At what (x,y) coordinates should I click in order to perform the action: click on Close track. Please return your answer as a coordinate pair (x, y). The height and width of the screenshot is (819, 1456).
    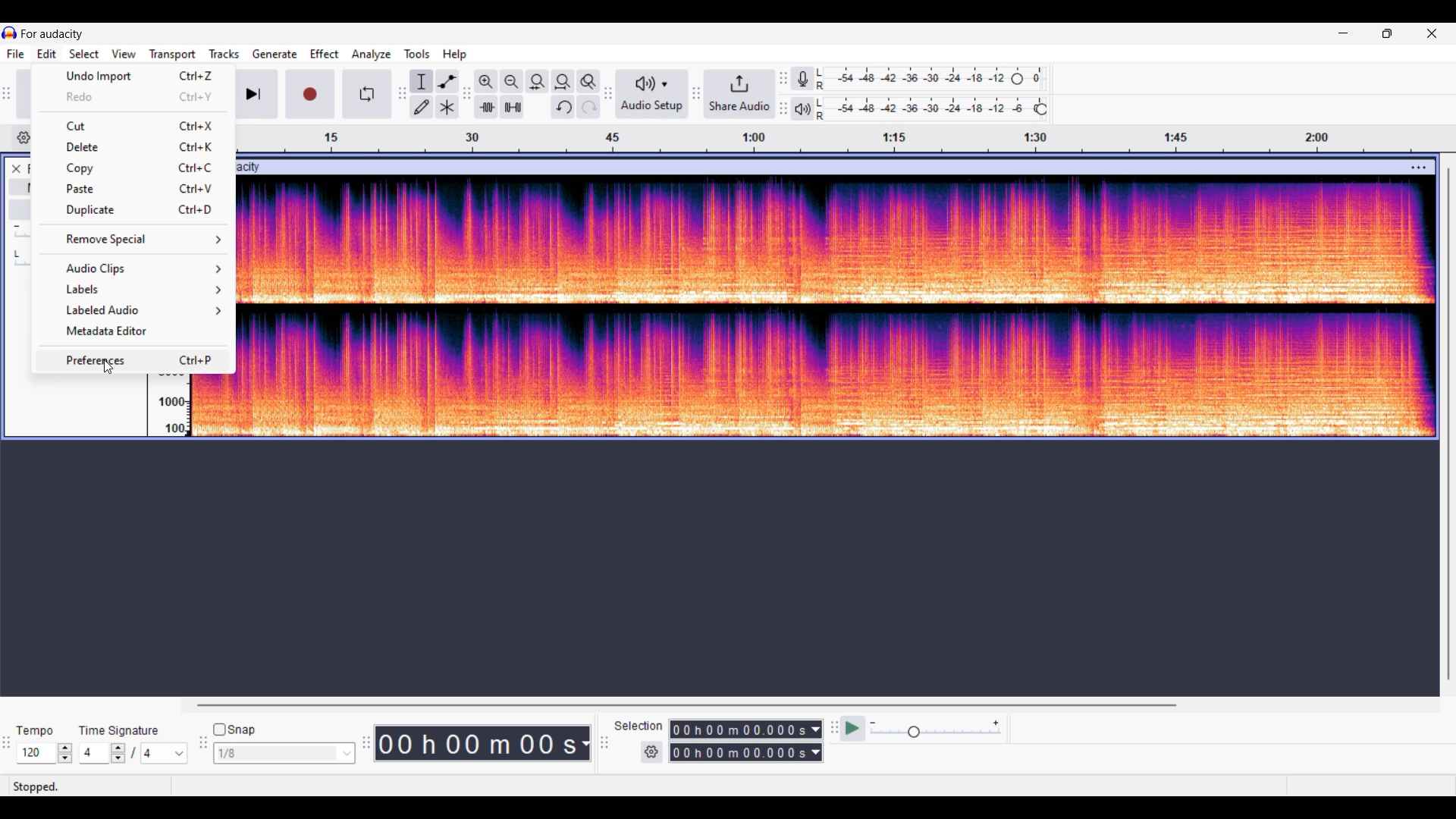
    Looking at the image, I should click on (16, 168).